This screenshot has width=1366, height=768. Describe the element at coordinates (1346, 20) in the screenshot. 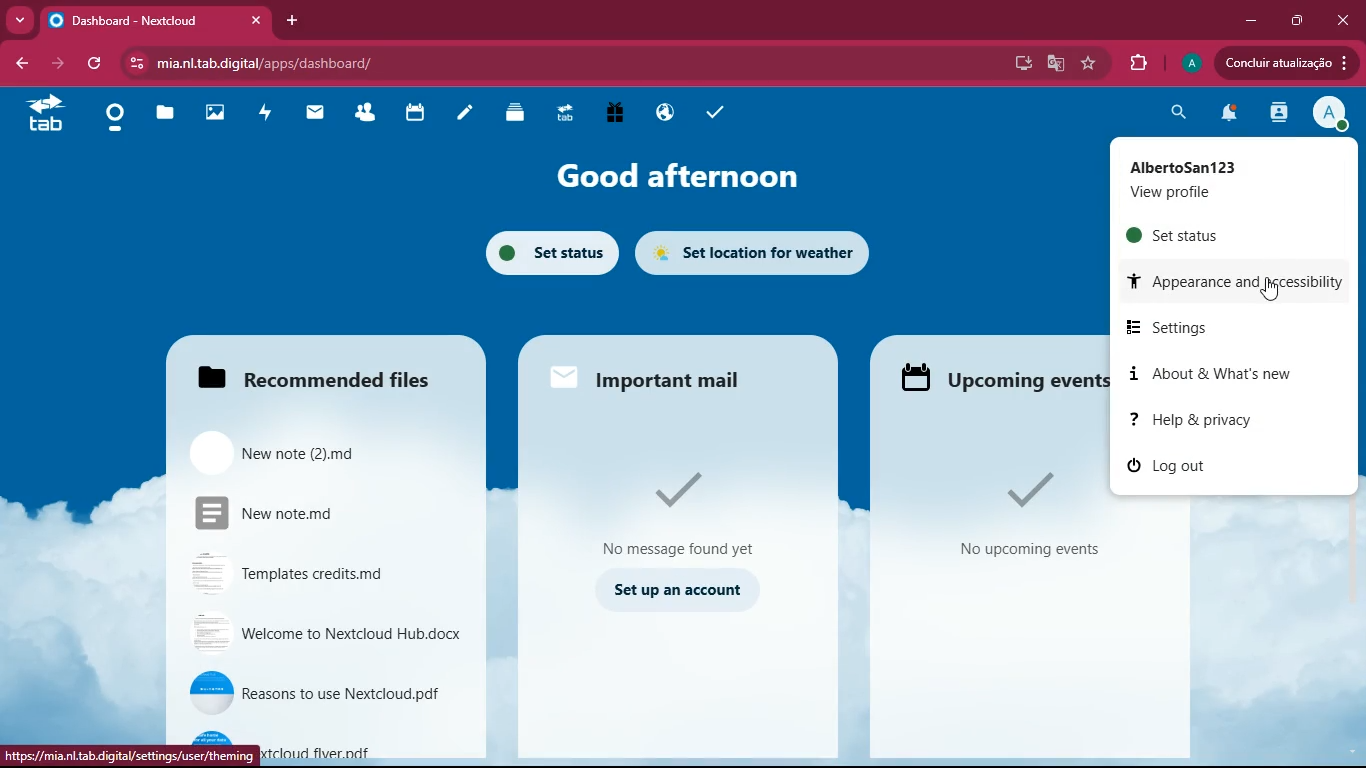

I see `close` at that location.